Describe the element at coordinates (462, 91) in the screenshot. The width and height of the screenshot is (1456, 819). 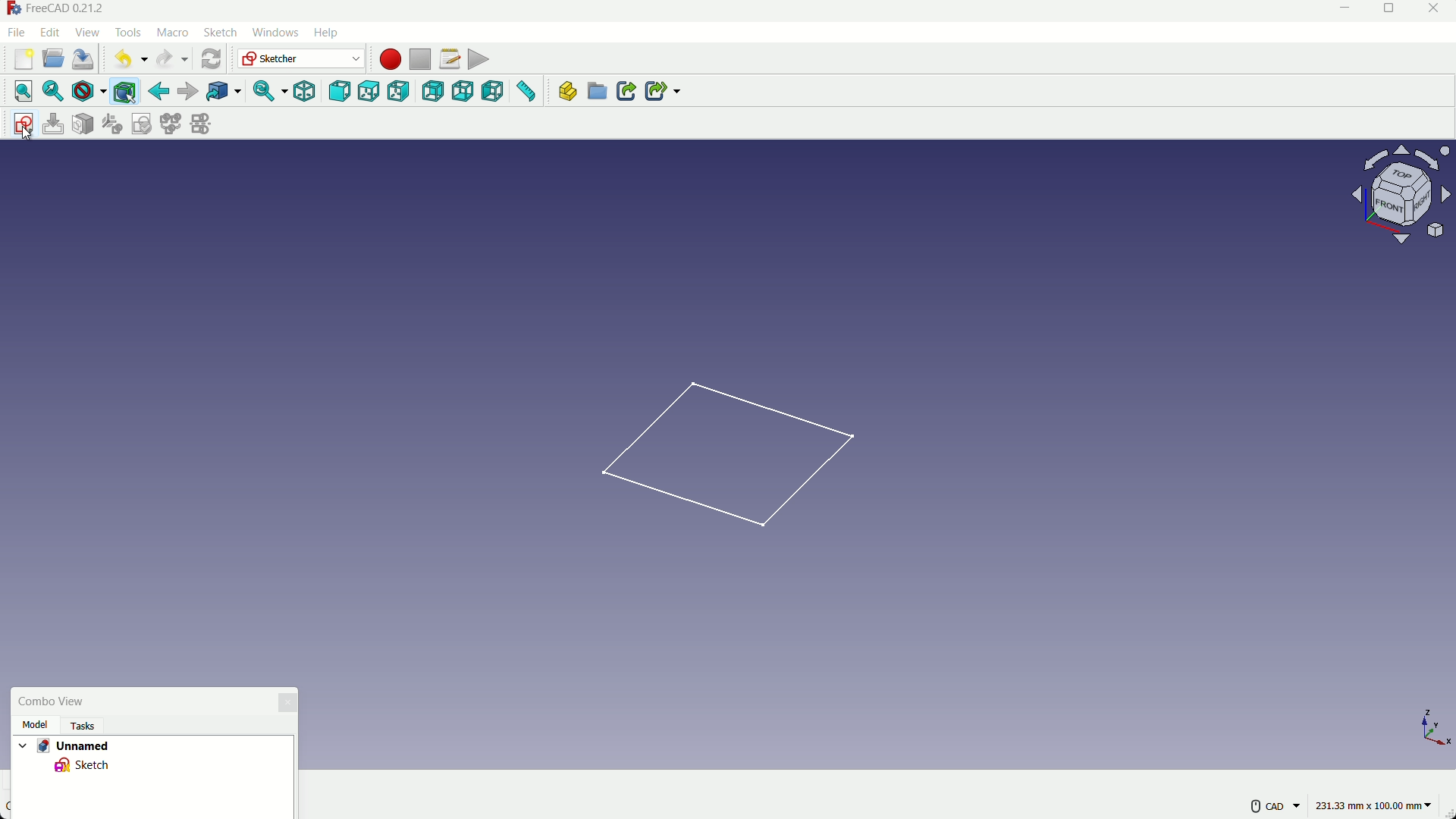
I see `bottom view` at that location.